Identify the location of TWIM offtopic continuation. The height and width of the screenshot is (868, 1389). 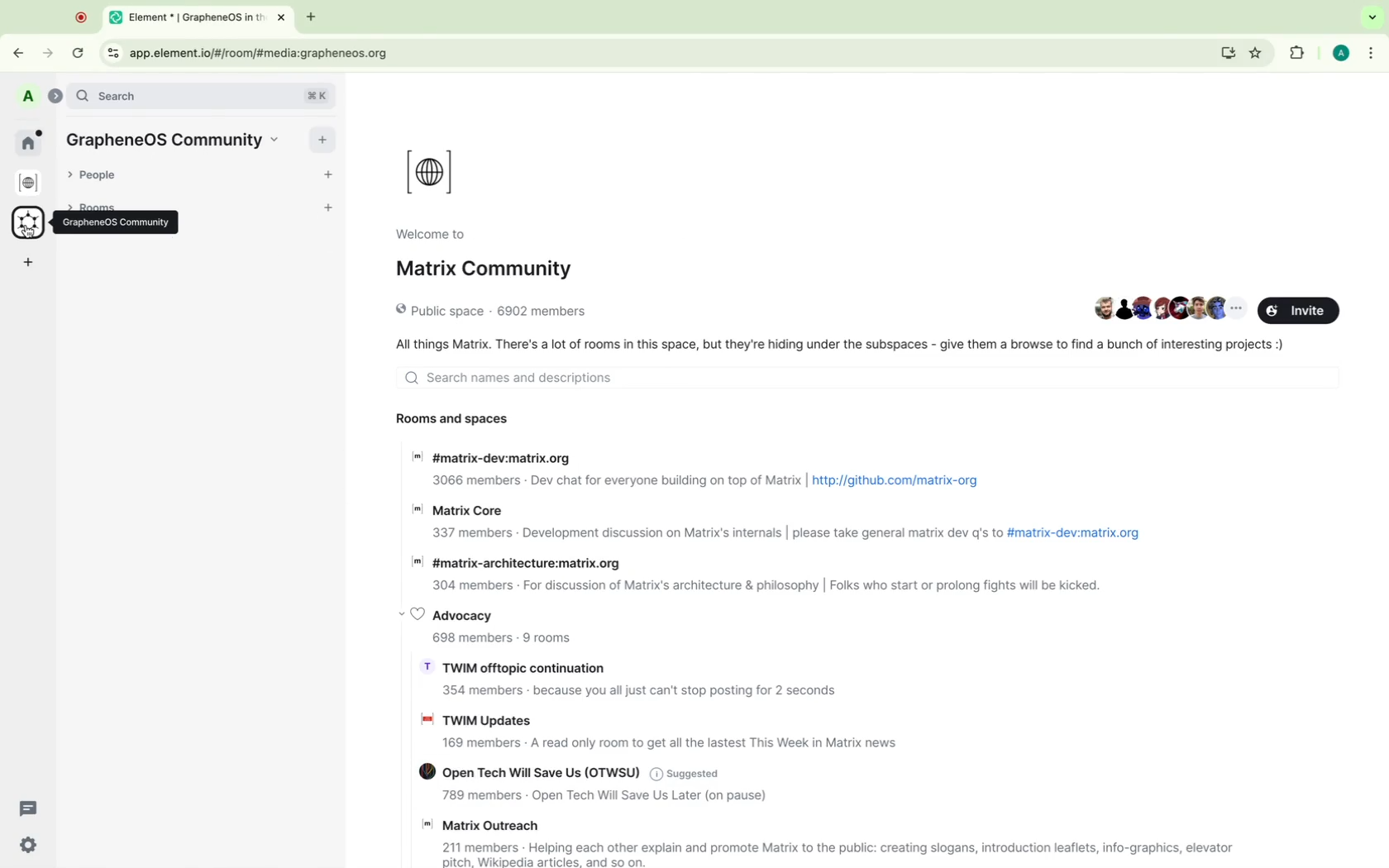
(515, 666).